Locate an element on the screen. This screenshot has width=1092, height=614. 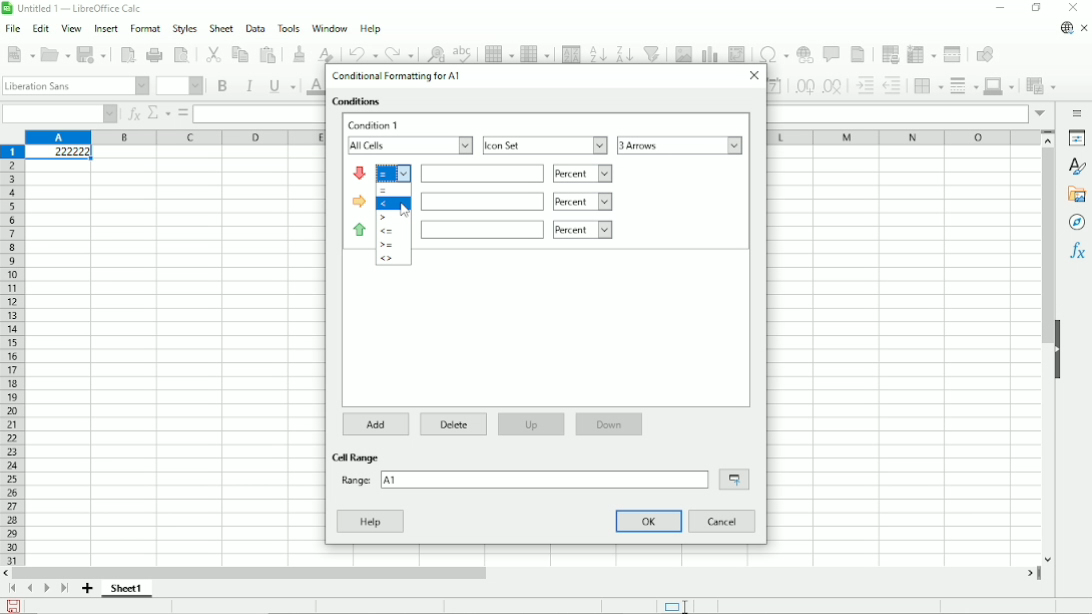
<> is located at coordinates (387, 258).